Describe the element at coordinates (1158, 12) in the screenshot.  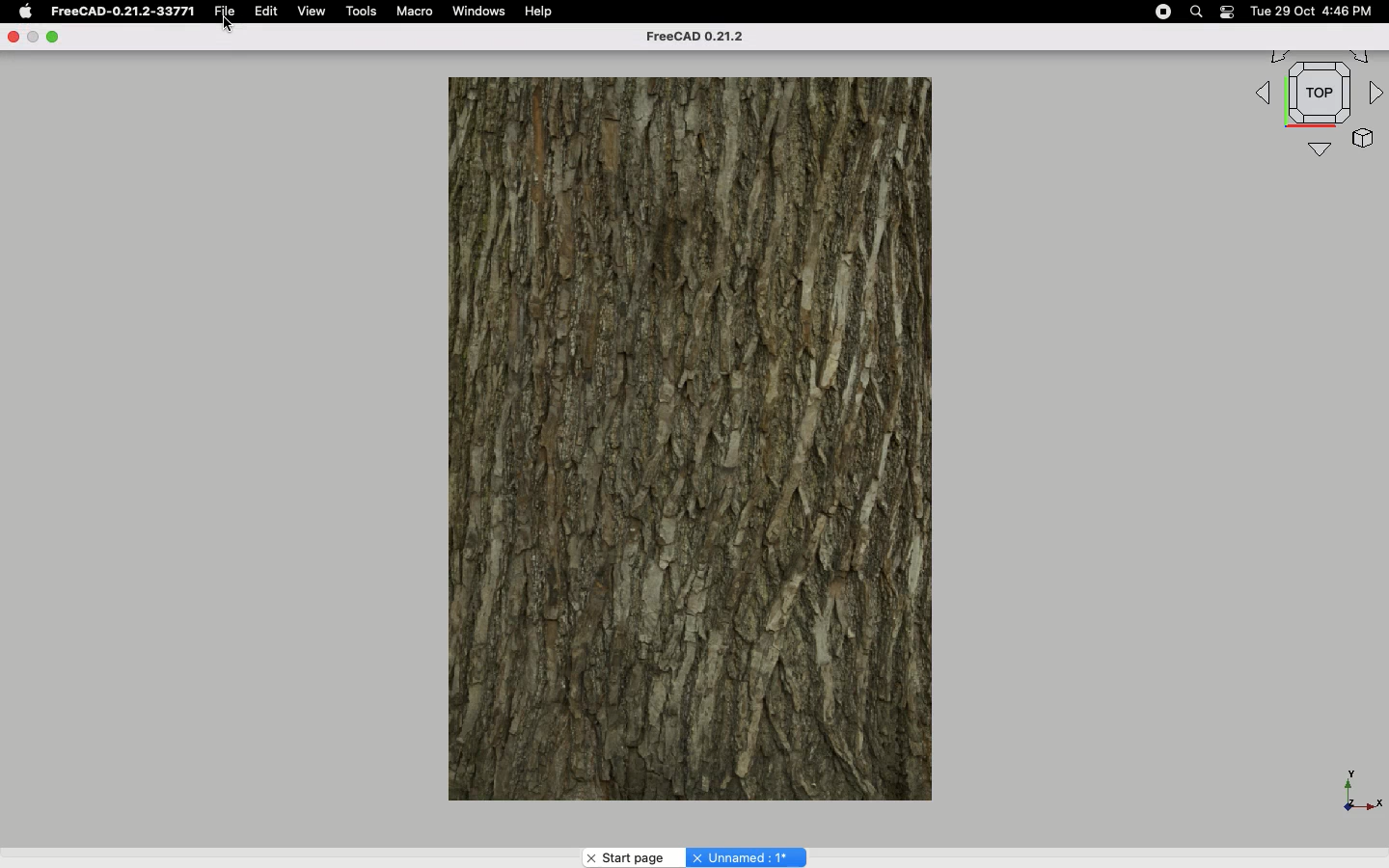
I see `Record` at that location.